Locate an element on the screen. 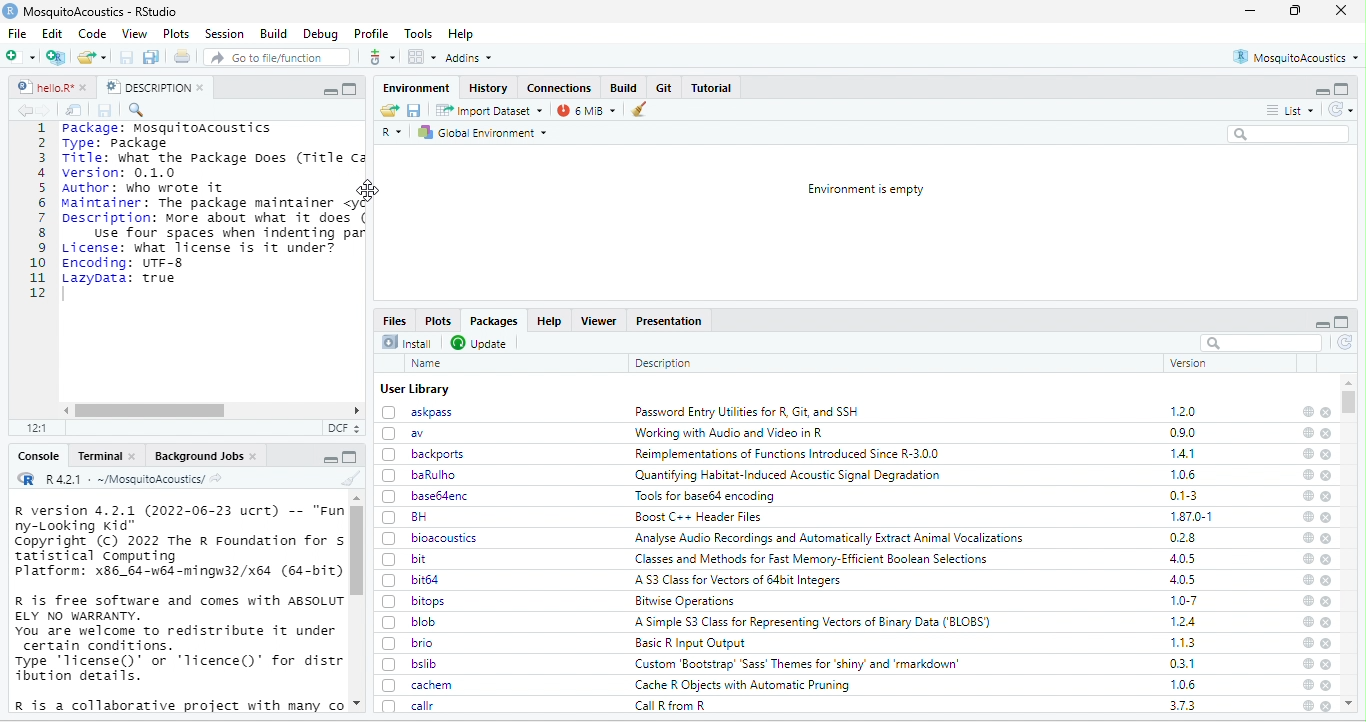 The height and width of the screenshot is (722, 1366). maximize is located at coordinates (329, 89).